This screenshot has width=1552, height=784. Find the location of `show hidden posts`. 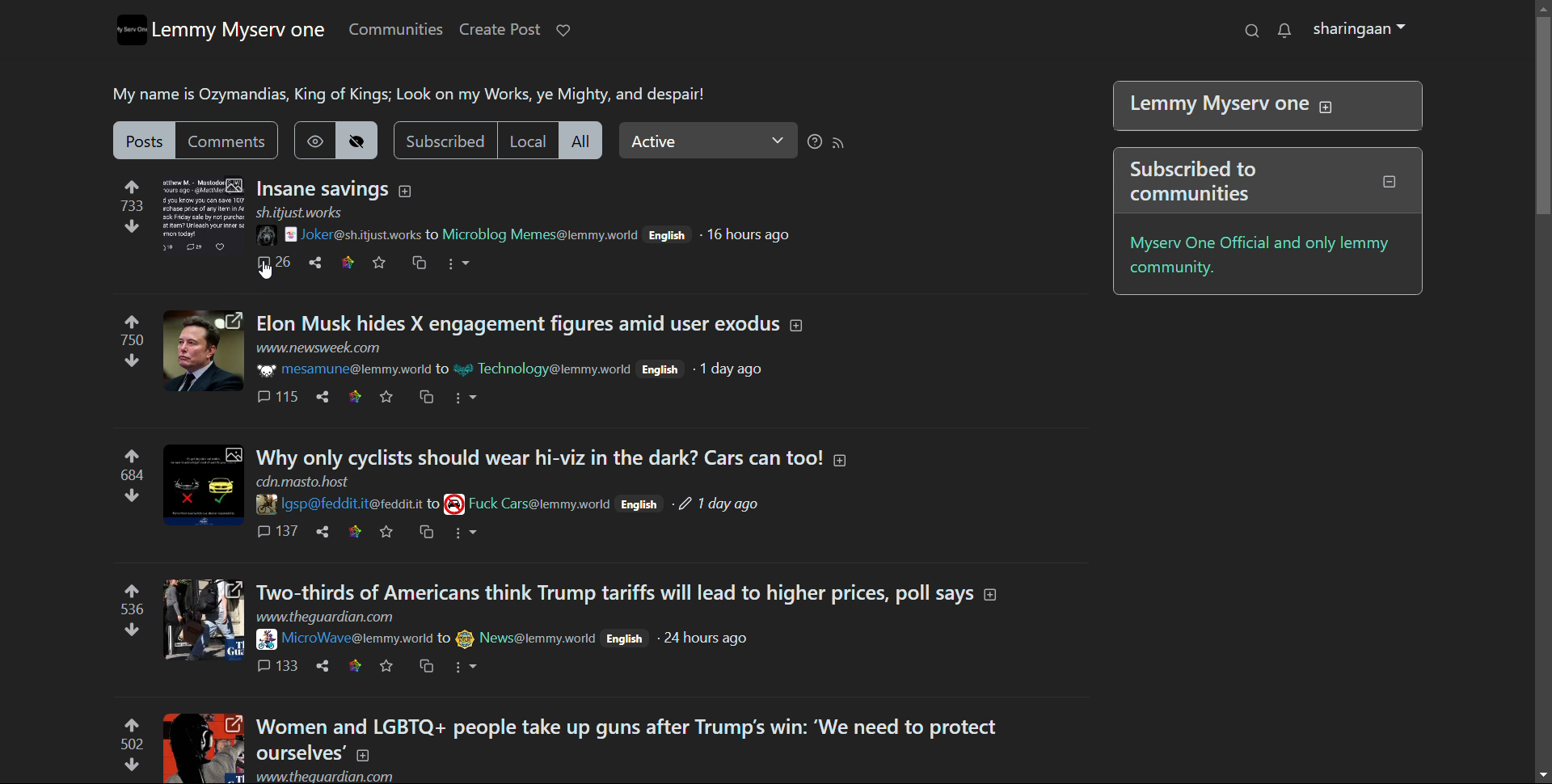

show hidden posts is located at coordinates (314, 140).